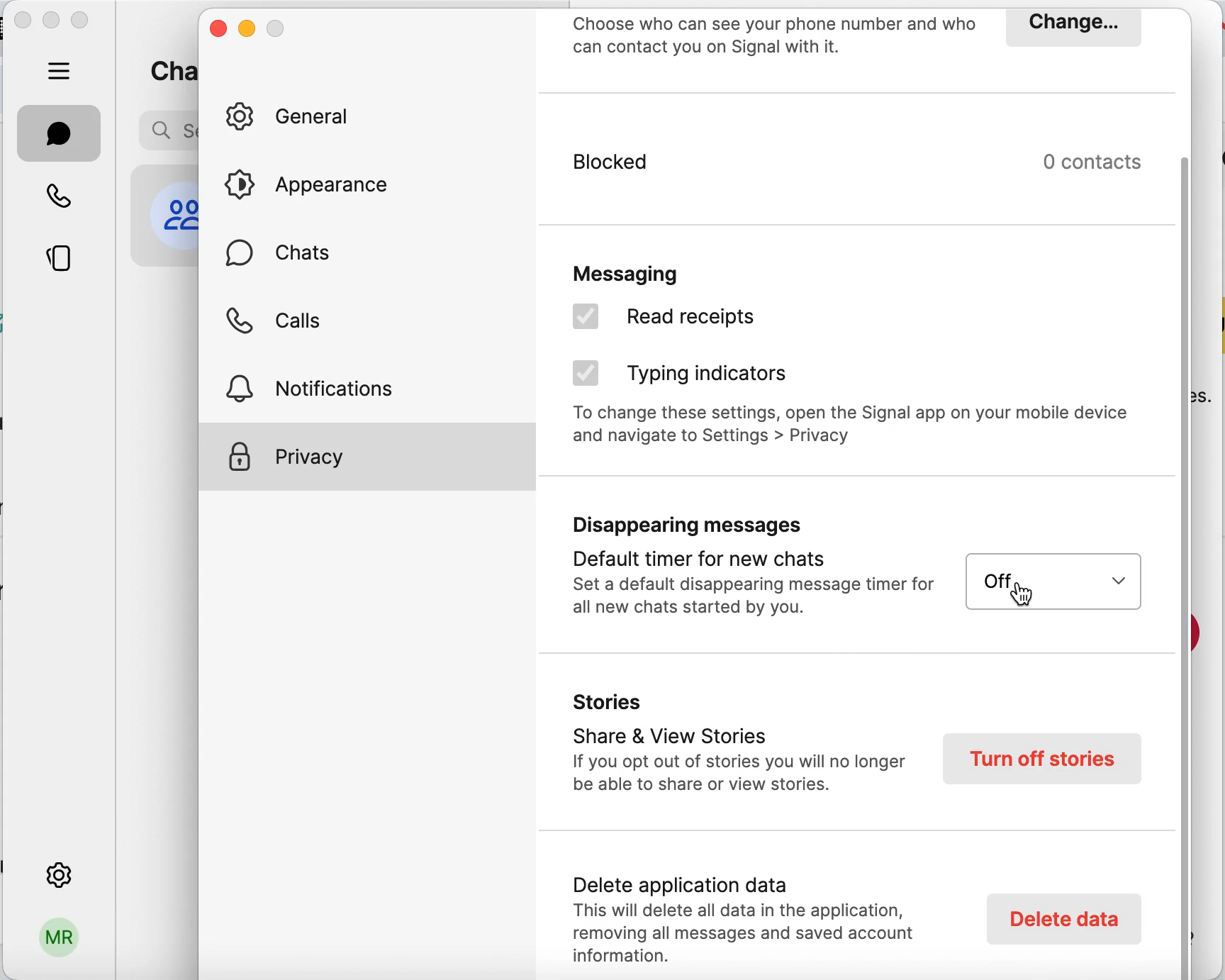 The height and width of the screenshot is (980, 1225). What do you see at coordinates (61, 261) in the screenshot?
I see `stories` at bounding box center [61, 261].